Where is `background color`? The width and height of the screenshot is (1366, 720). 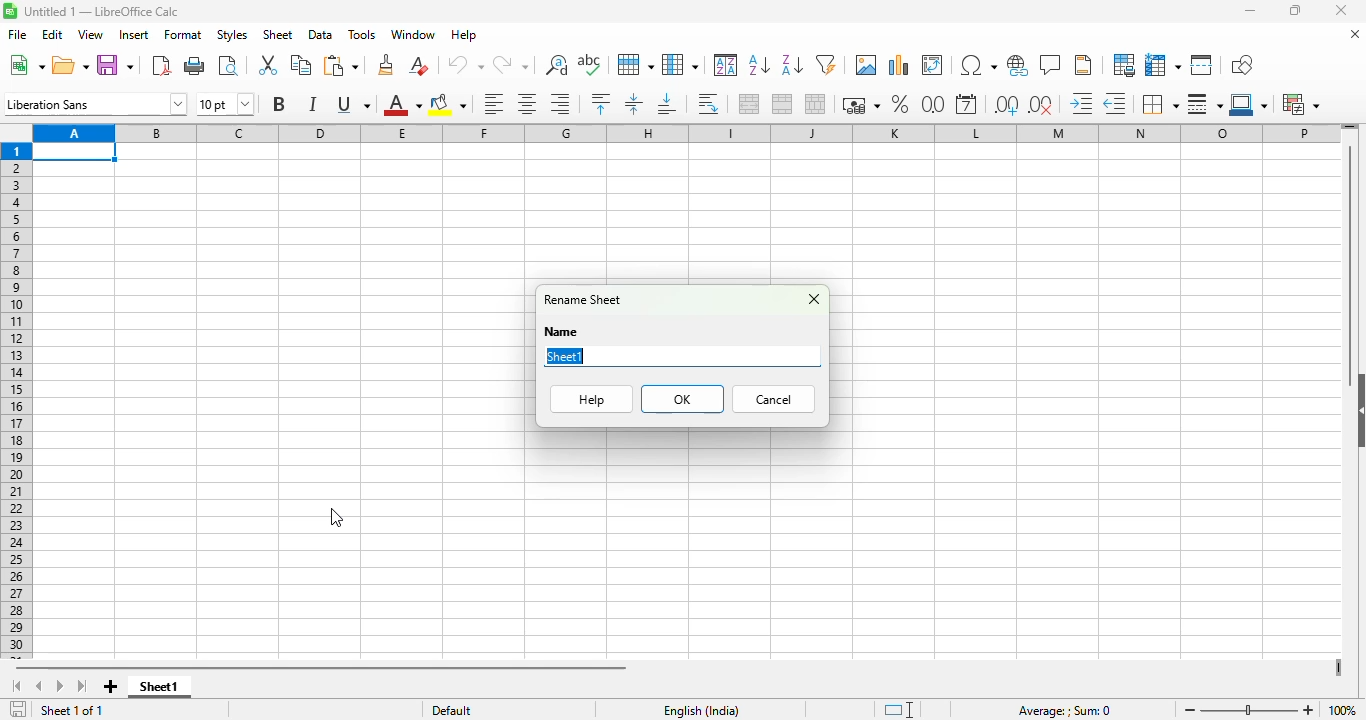 background color is located at coordinates (448, 104).